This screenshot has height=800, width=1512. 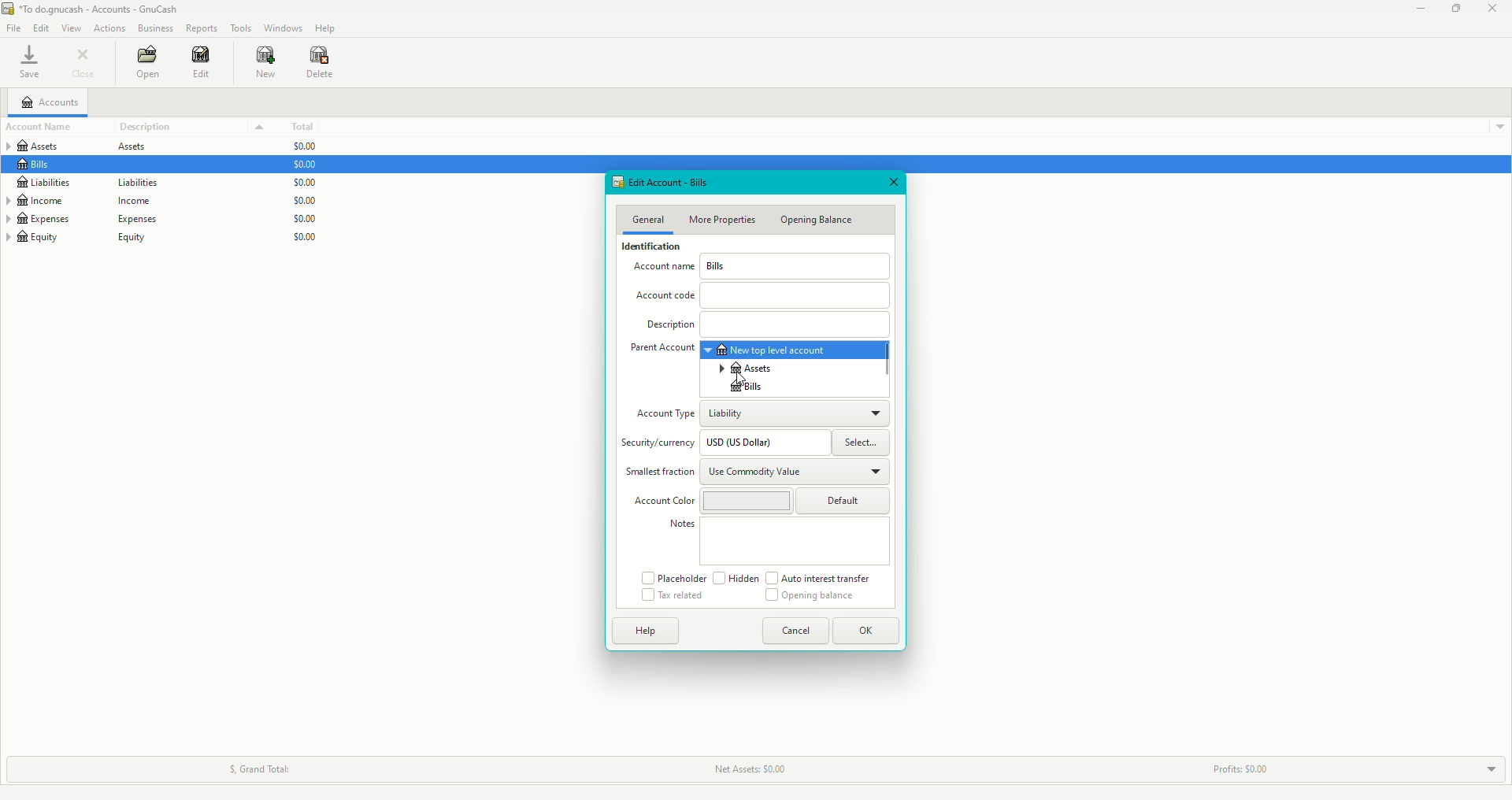 I want to click on Grand Total, so click(x=254, y=766).